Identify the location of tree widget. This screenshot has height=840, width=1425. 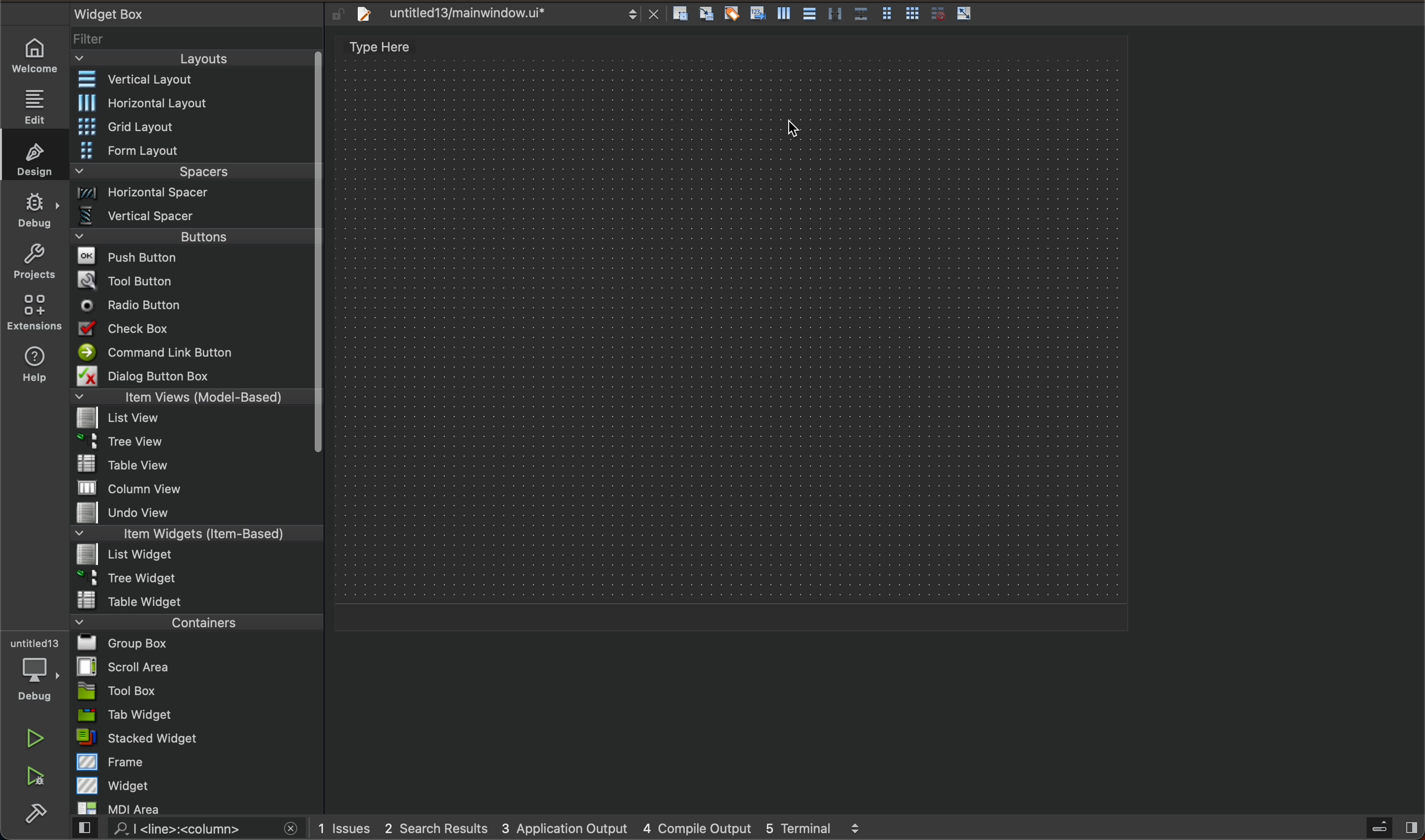
(193, 578).